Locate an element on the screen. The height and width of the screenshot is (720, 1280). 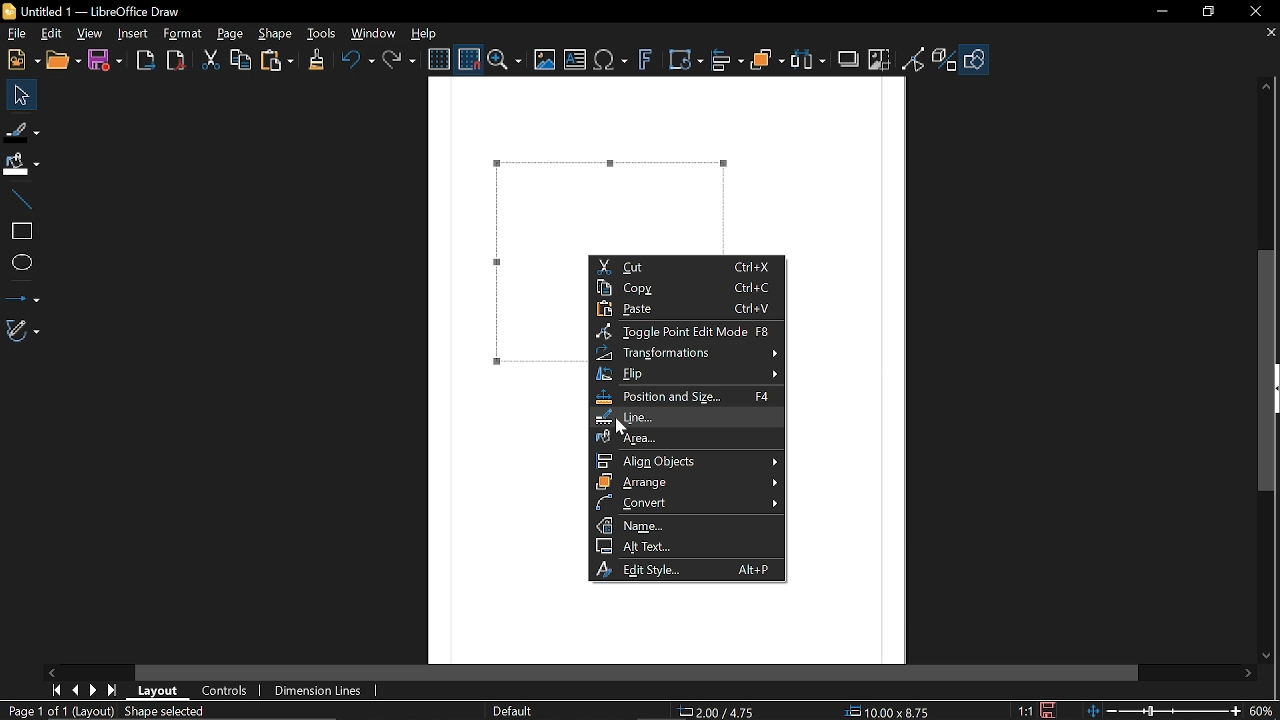
Horizontal scrollbar is located at coordinates (638, 673).